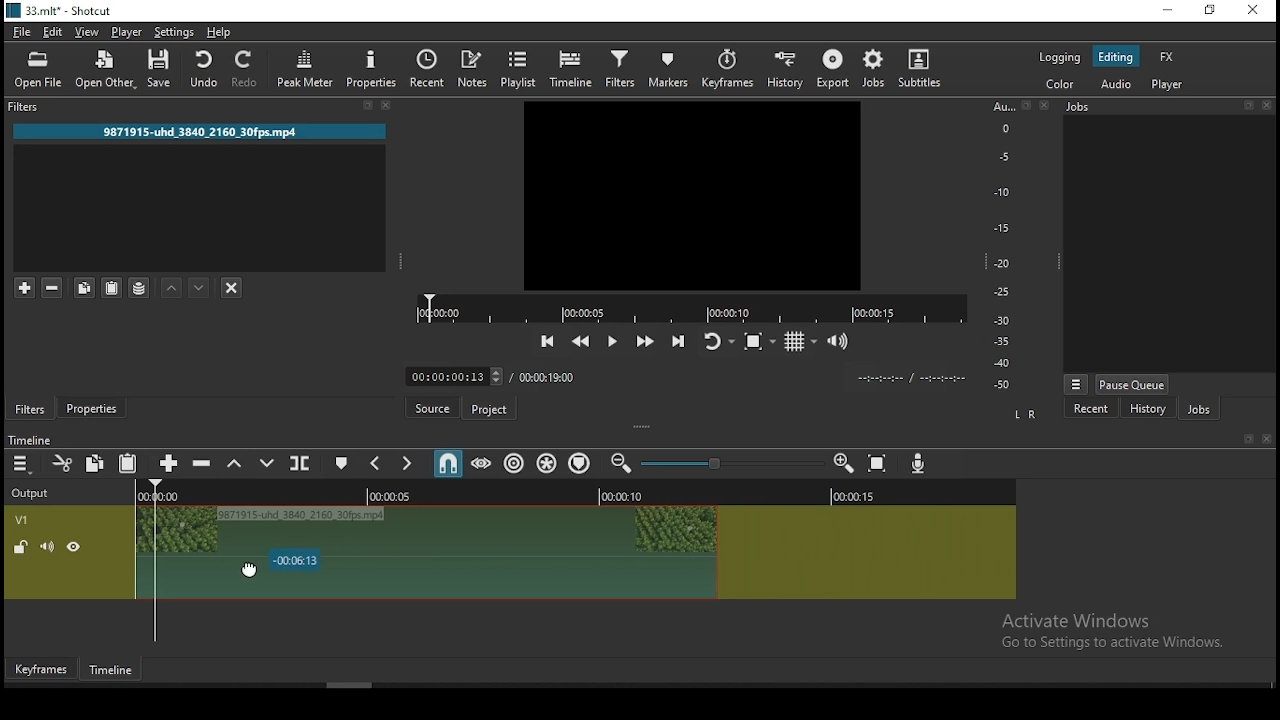  Describe the element at coordinates (1024, 106) in the screenshot. I see `bookmark` at that location.